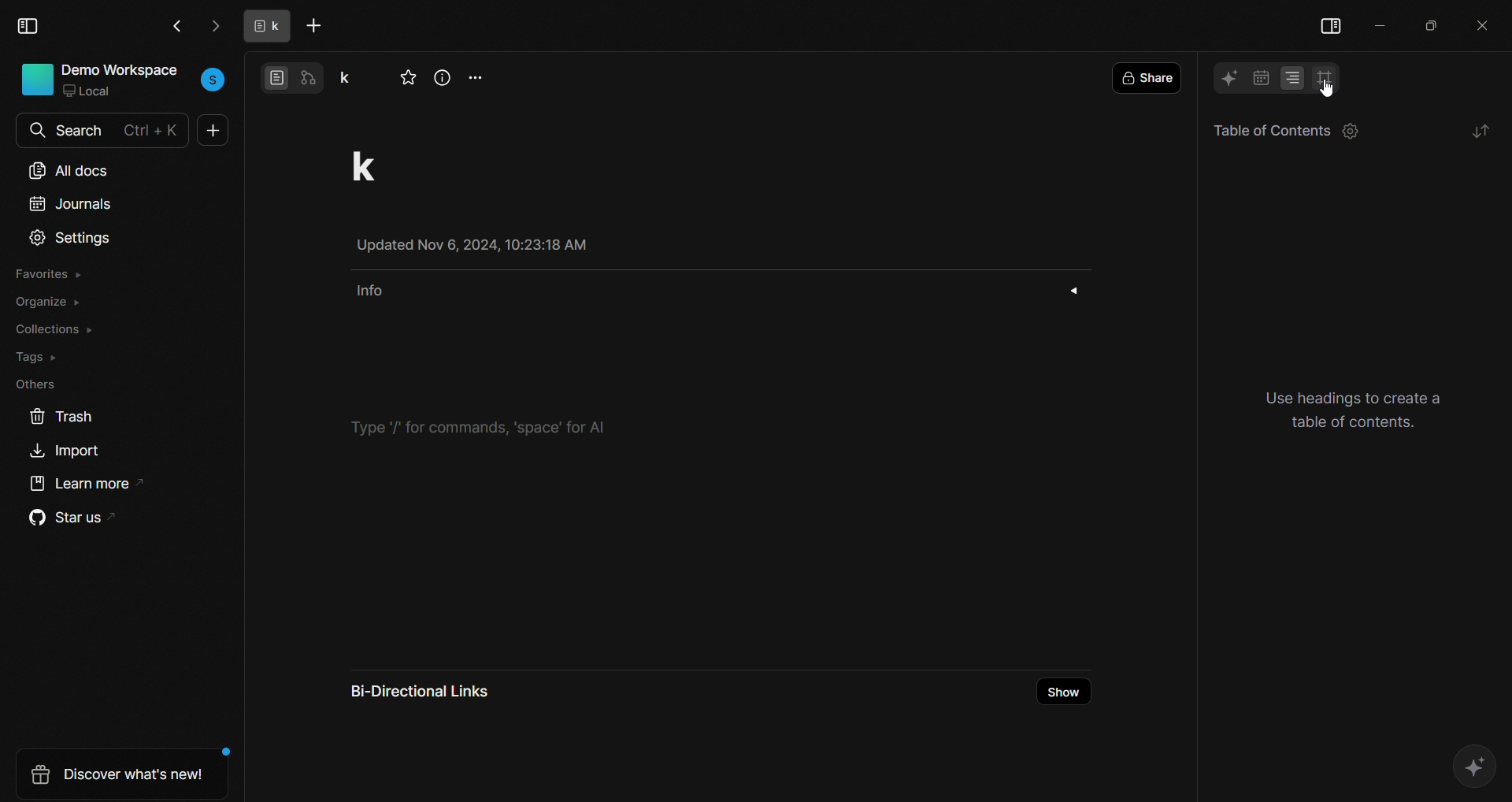 This screenshot has height=802, width=1512. What do you see at coordinates (1265, 131) in the screenshot?
I see `table of contents` at bounding box center [1265, 131].